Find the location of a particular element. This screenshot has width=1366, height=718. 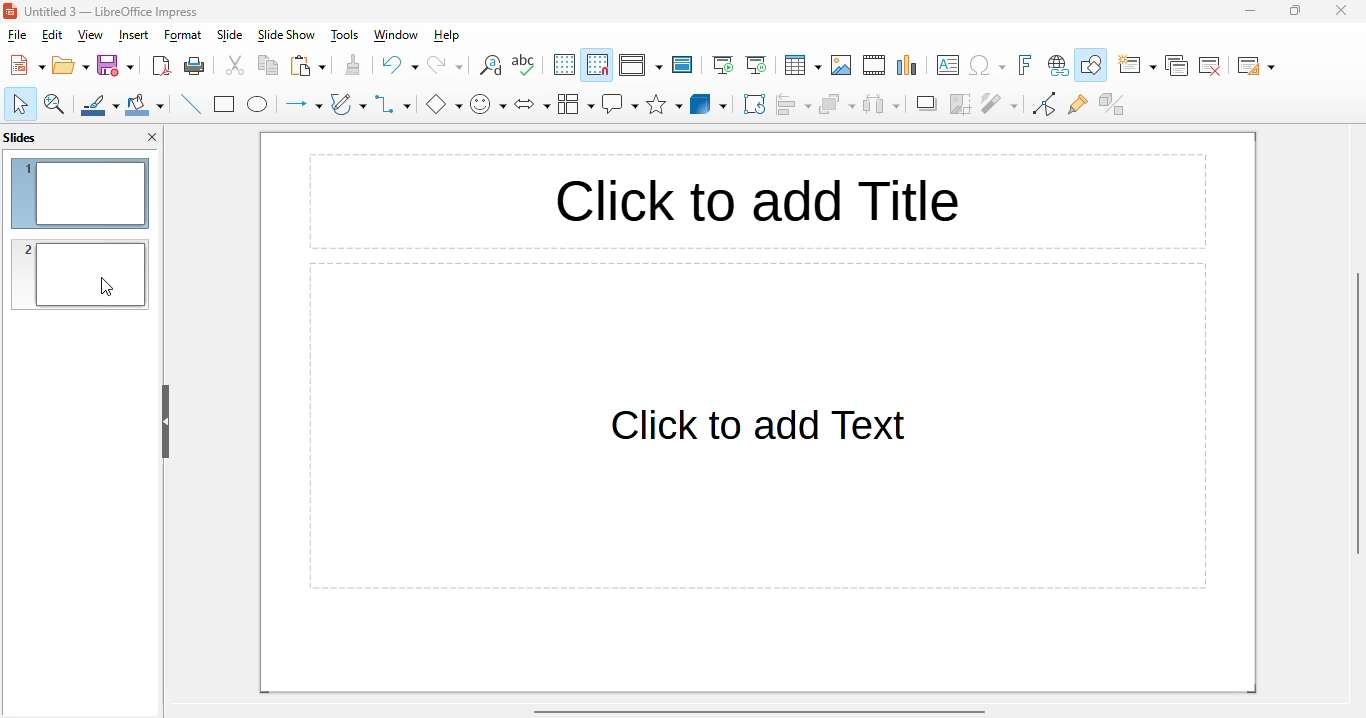

window is located at coordinates (396, 35).